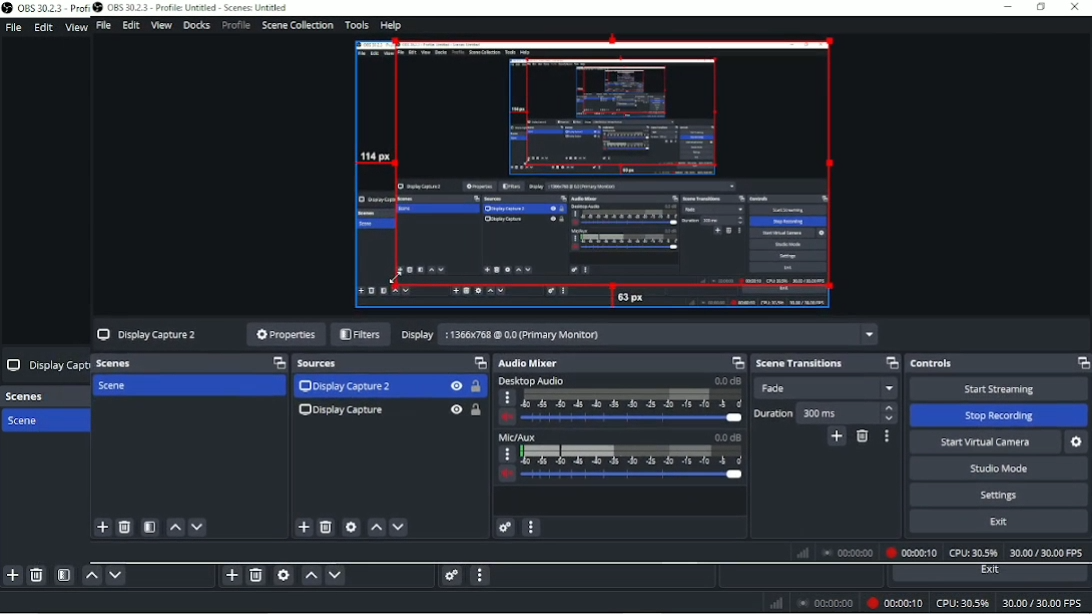 This screenshot has width=1092, height=614. I want to click on Settings., so click(998, 494).